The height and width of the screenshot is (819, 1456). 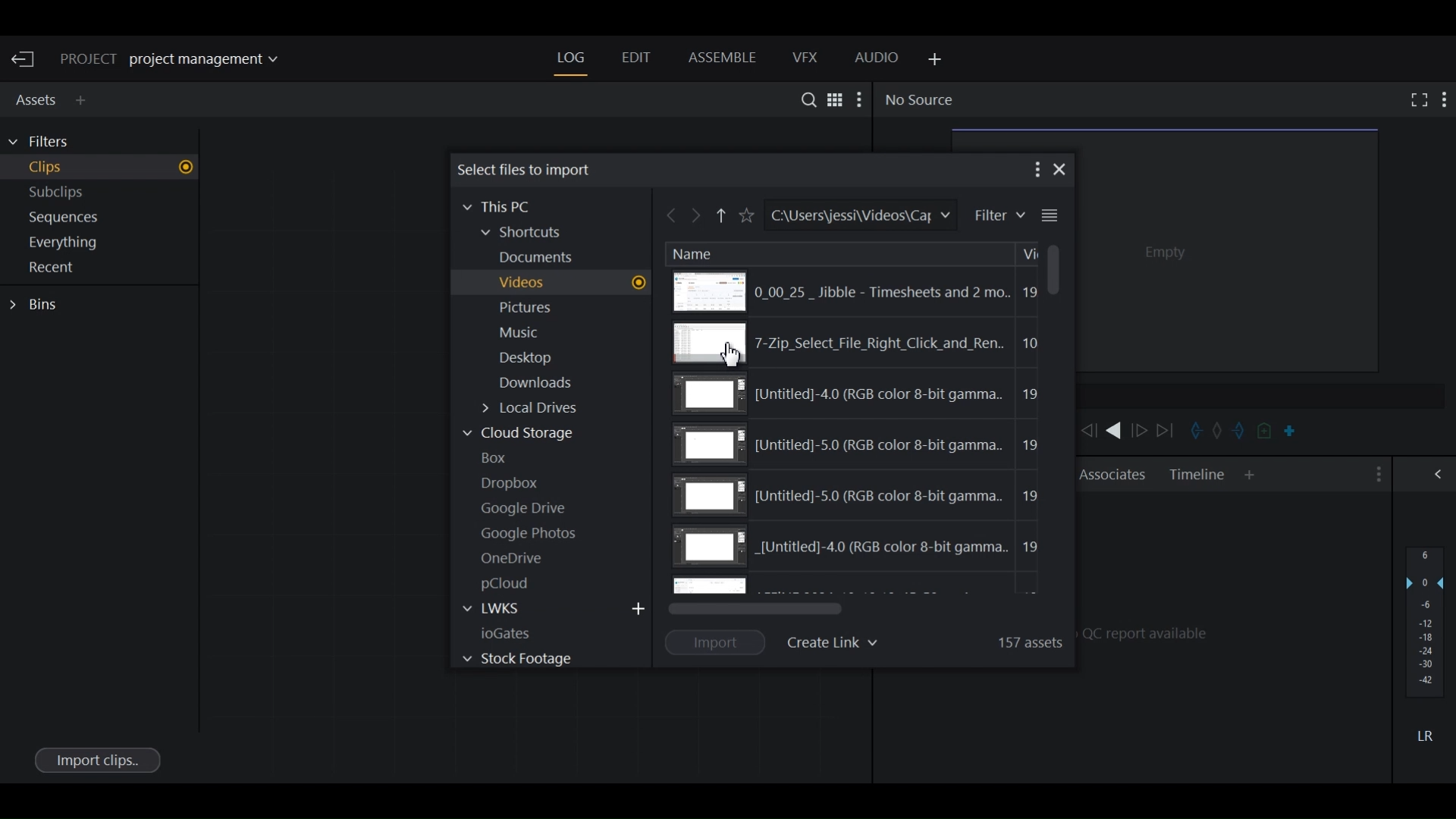 What do you see at coordinates (516, 482) in the screenshot?
I see `Dropbox` at bounding box center [516, 482].